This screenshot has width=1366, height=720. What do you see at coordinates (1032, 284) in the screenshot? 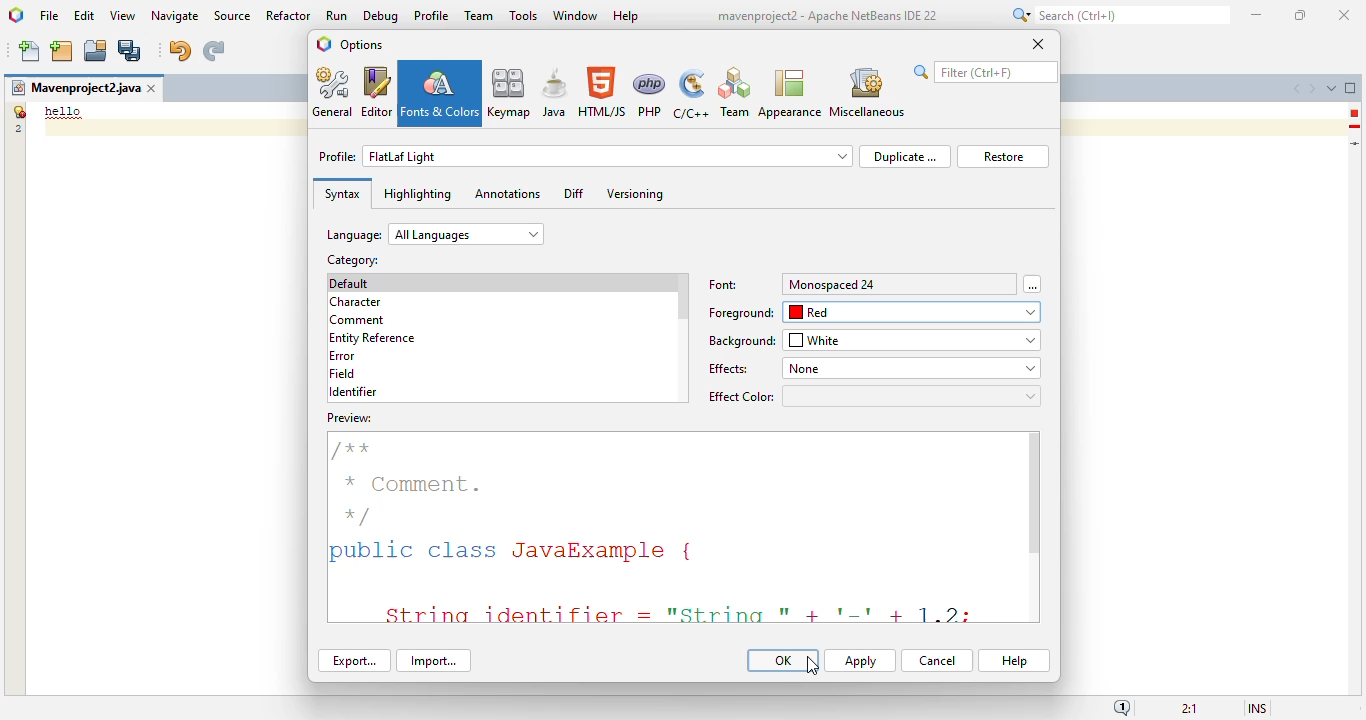
I see `font chooser` at bounding box center [1032, 284].